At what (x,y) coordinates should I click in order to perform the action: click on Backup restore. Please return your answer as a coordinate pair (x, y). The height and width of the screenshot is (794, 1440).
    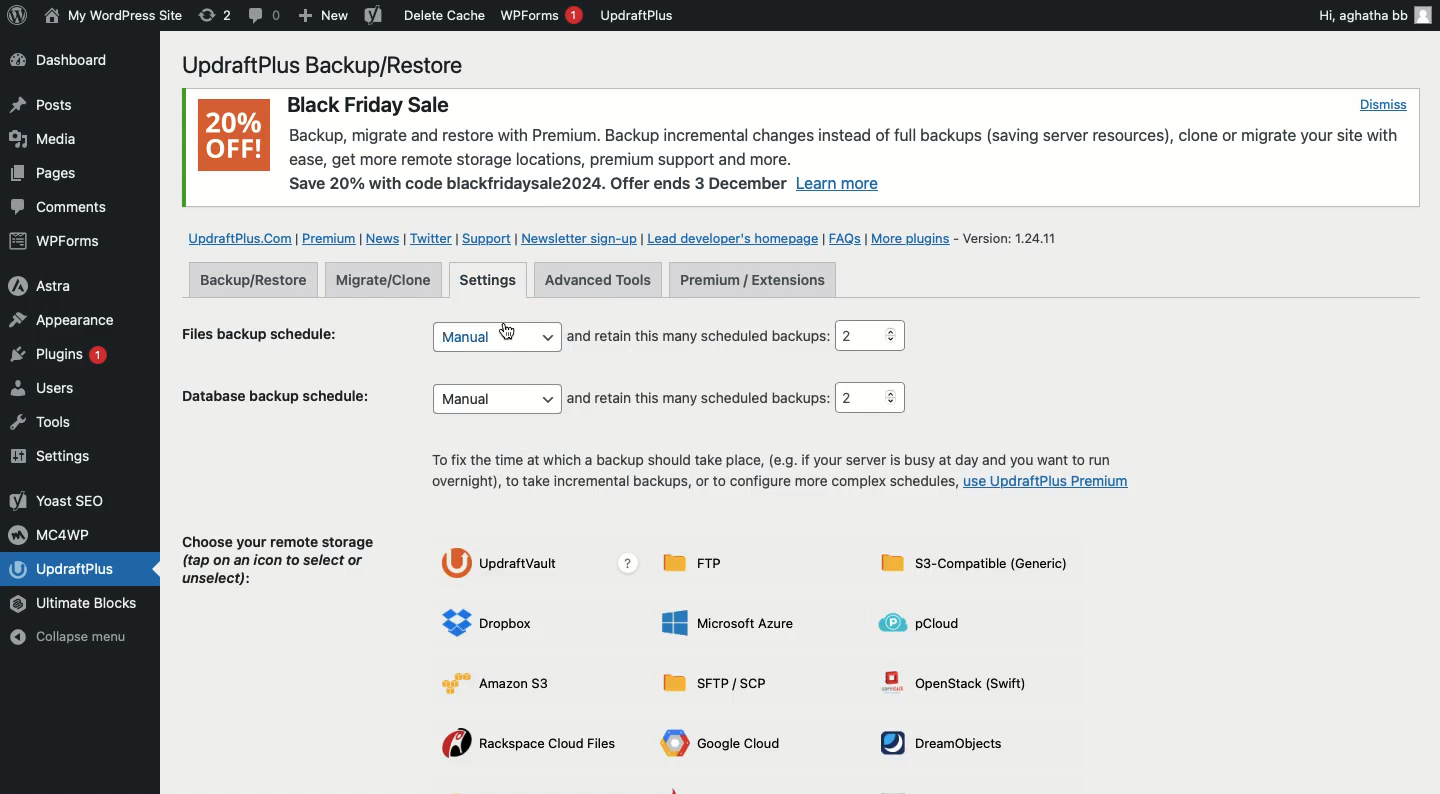
    Looking at the image, I should click on (253, 279).